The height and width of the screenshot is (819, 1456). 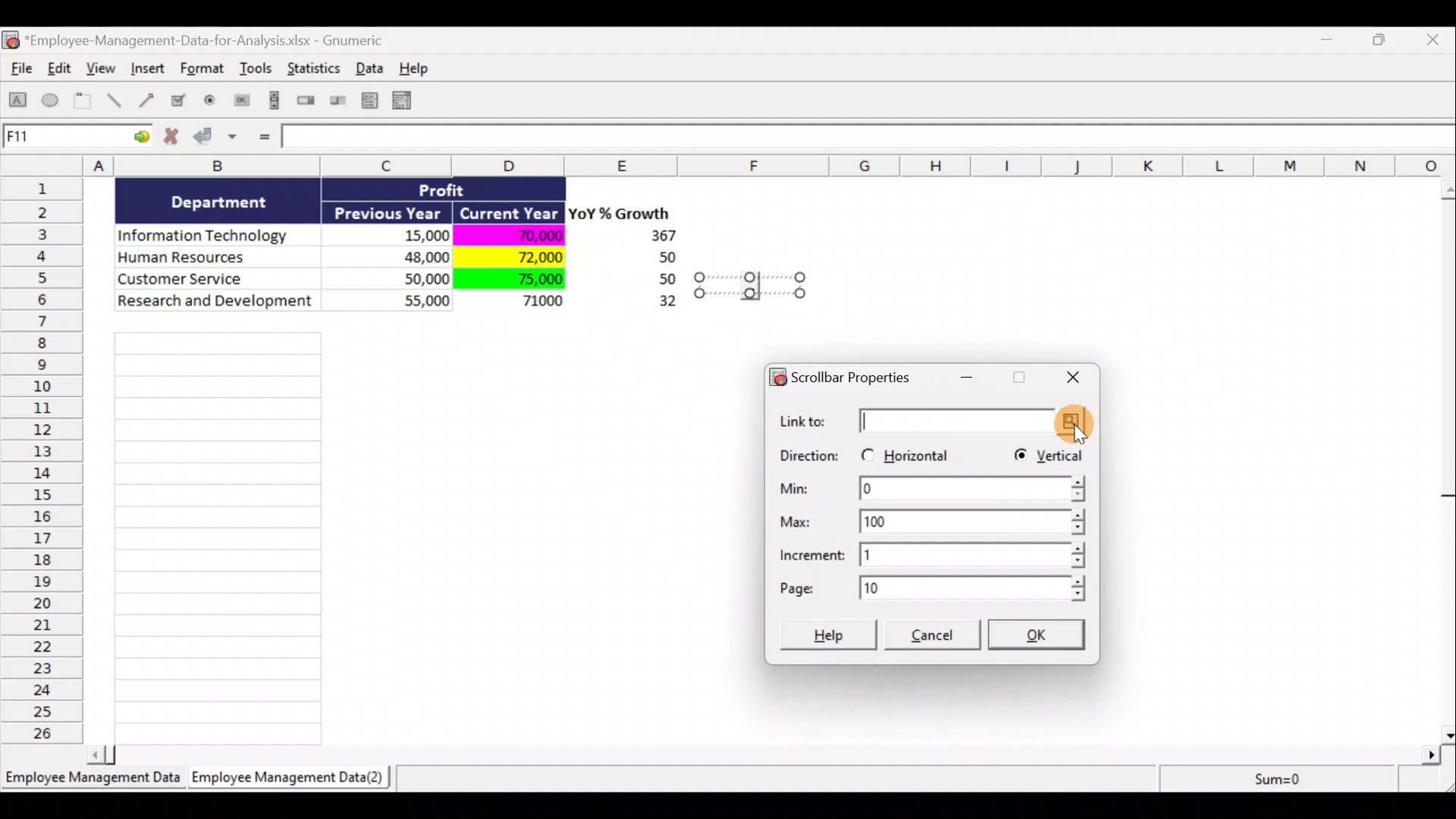 What do you see at coordinates (935, 637) in the screenshot?
I see `Cancel` at bounding box center [935, 637].